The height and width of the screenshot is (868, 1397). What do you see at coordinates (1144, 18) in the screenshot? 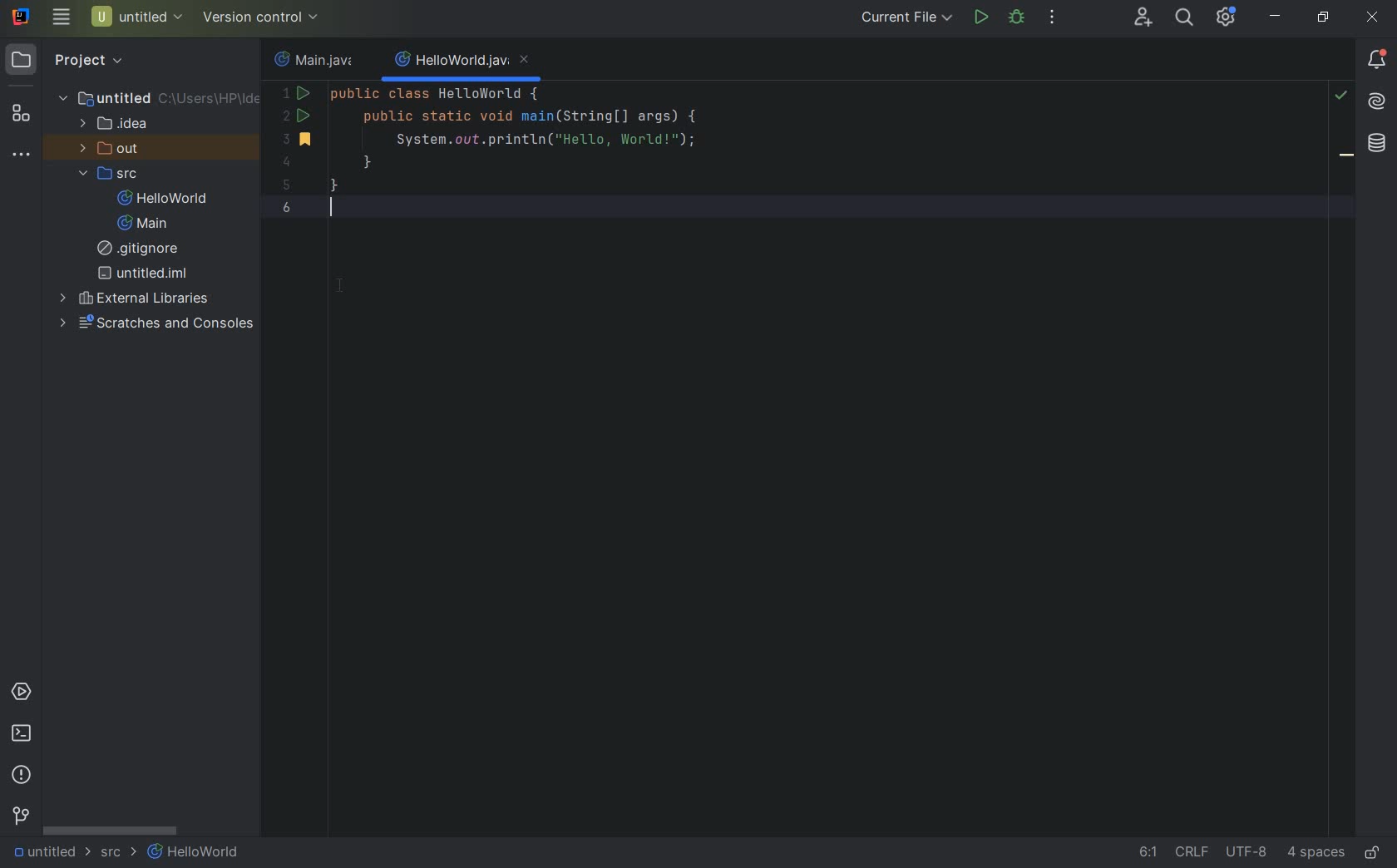
I see `code with me` at bounding box center [1144, 18].